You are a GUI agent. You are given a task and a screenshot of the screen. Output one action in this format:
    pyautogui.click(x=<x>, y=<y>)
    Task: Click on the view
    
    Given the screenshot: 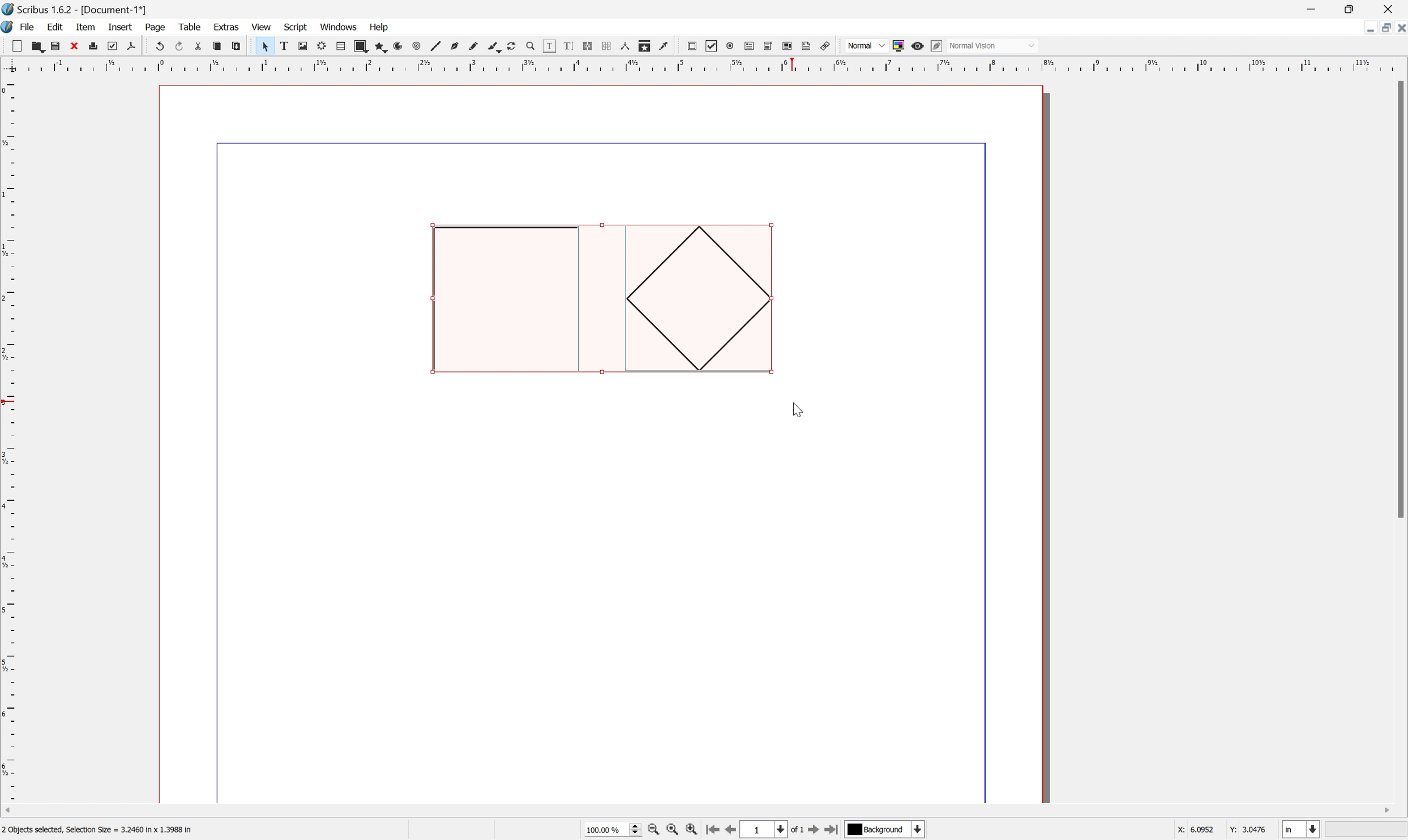 What is the action you would take?
    pyautogui.click(x=263, y=27)
    